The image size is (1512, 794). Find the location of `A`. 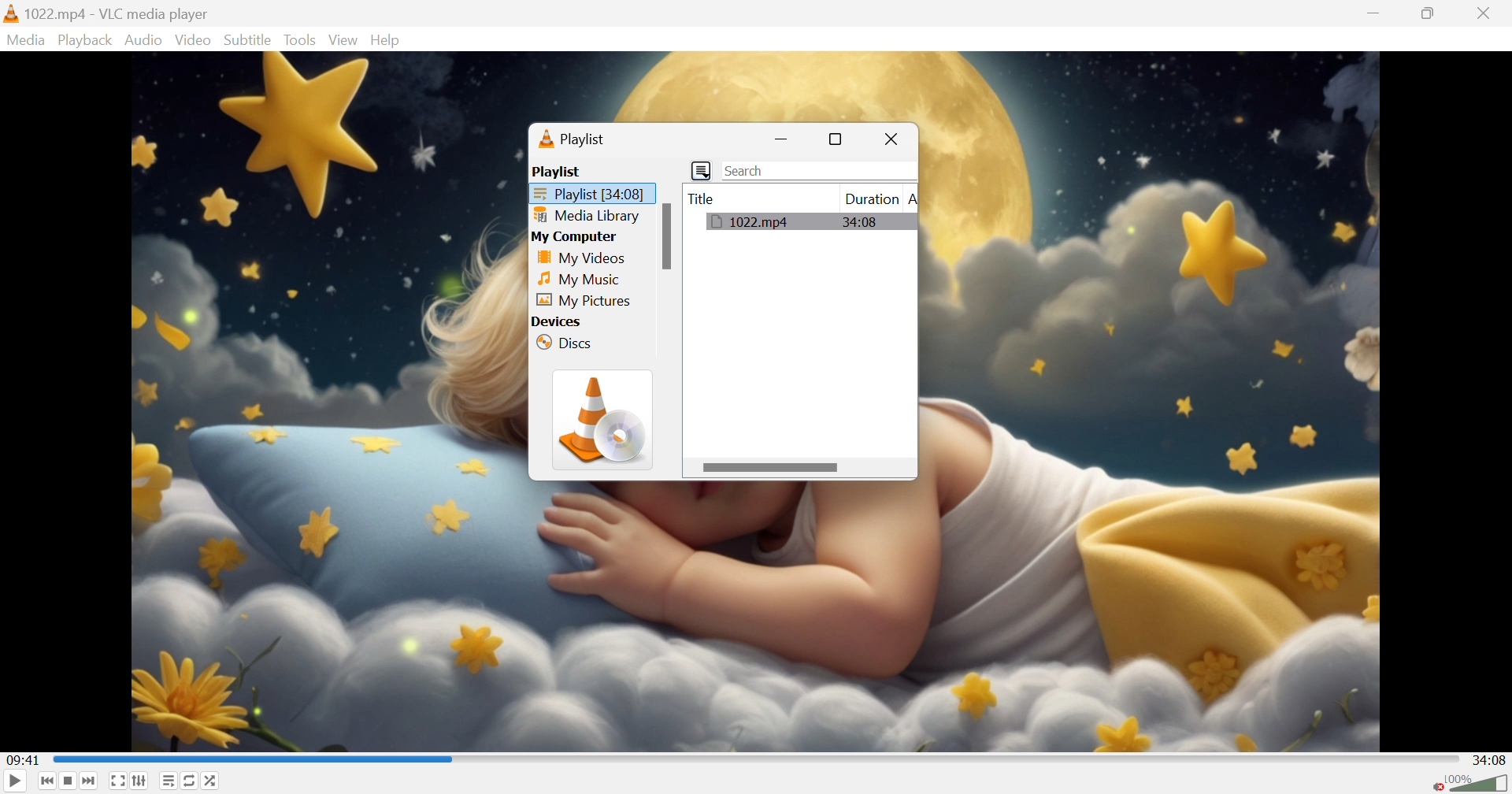

A is located at coordinates (917, 202).